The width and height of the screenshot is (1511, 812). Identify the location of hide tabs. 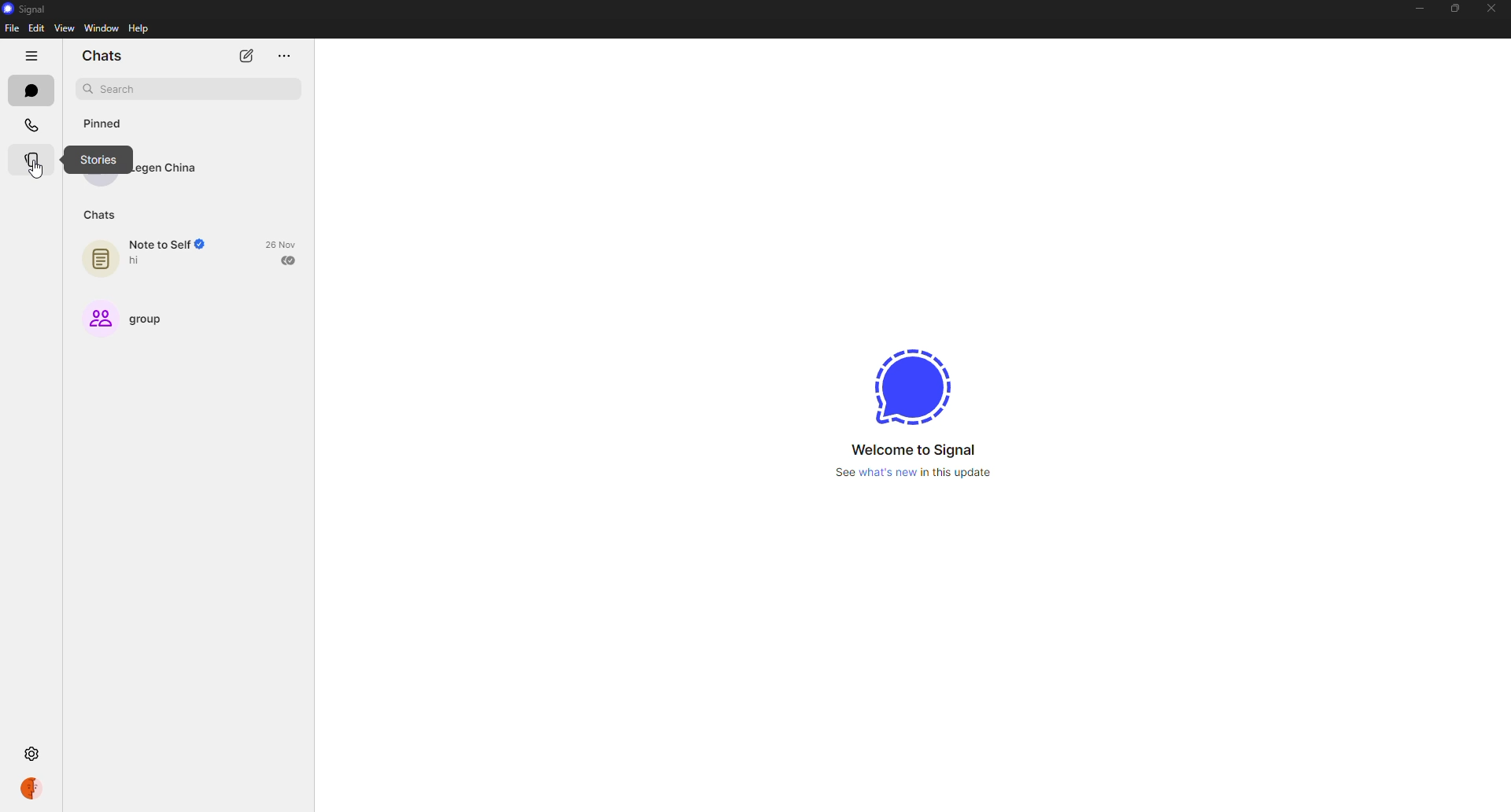
(31, 57).